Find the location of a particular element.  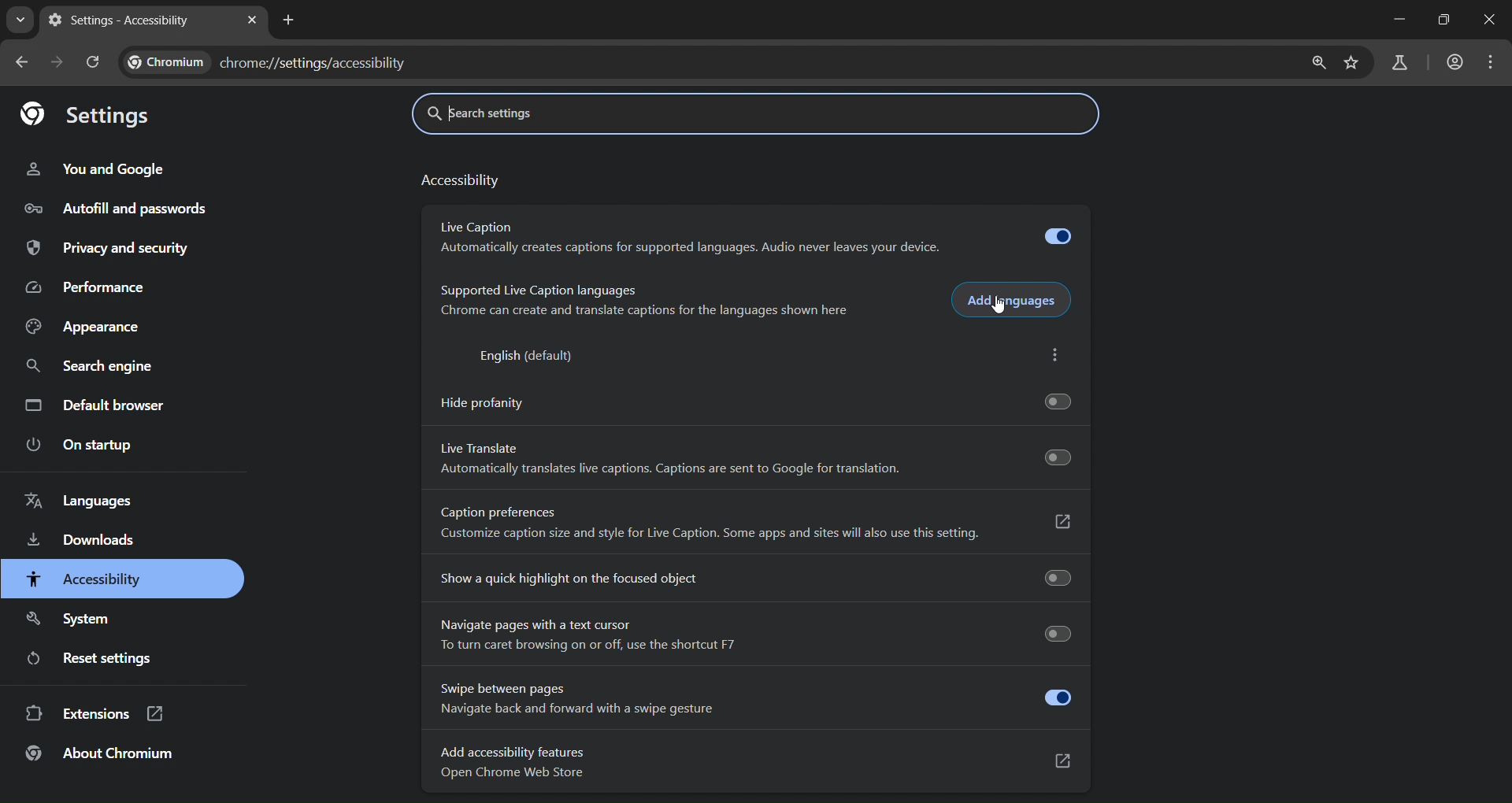

about chromium is located at coordinates (101, 755).